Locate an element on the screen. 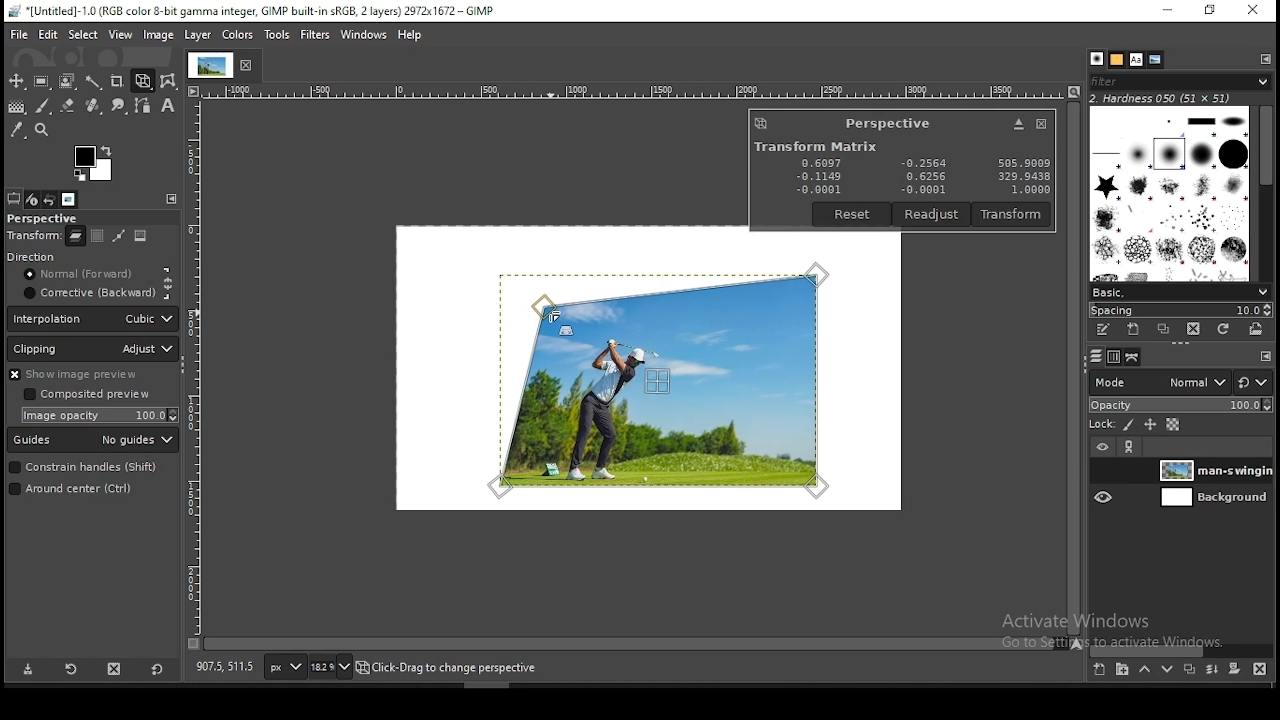 Image resolution: width=1280 pixels, height=720 pixels. unified transform tool is located at coordinates (144, 81).